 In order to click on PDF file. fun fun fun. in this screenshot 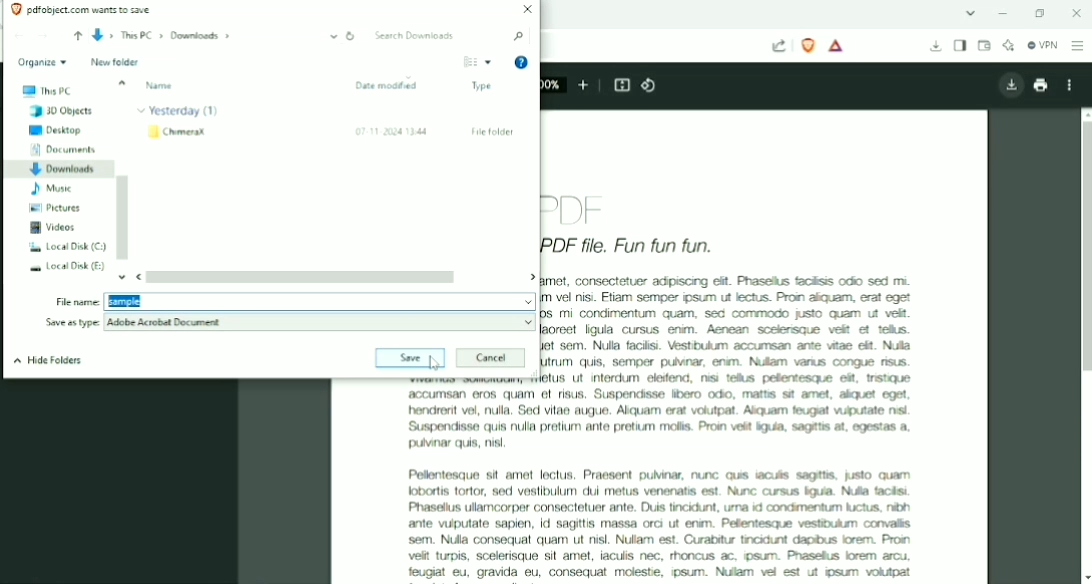, I will do `click(636, 245)`.